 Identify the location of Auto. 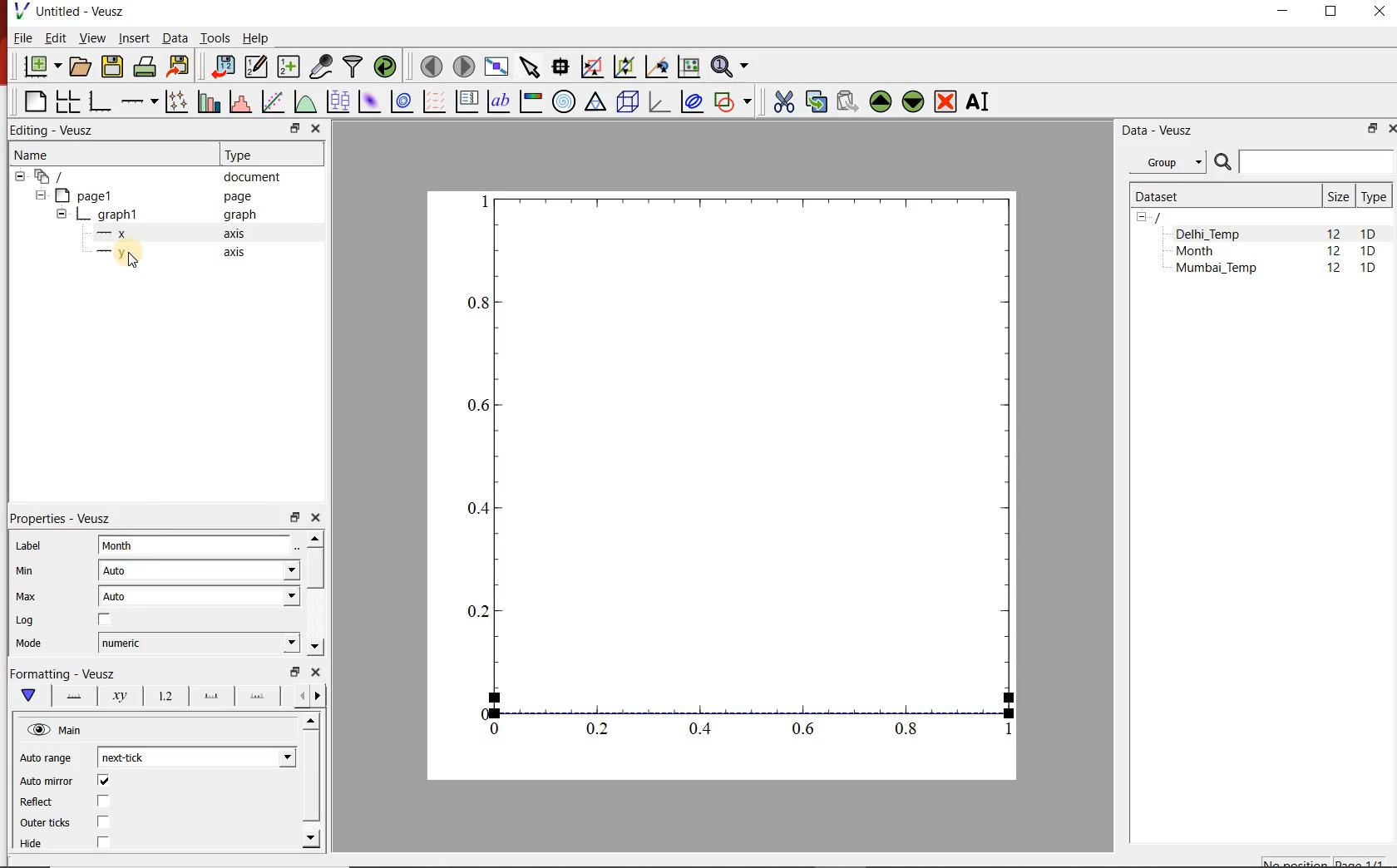
(199, 596).